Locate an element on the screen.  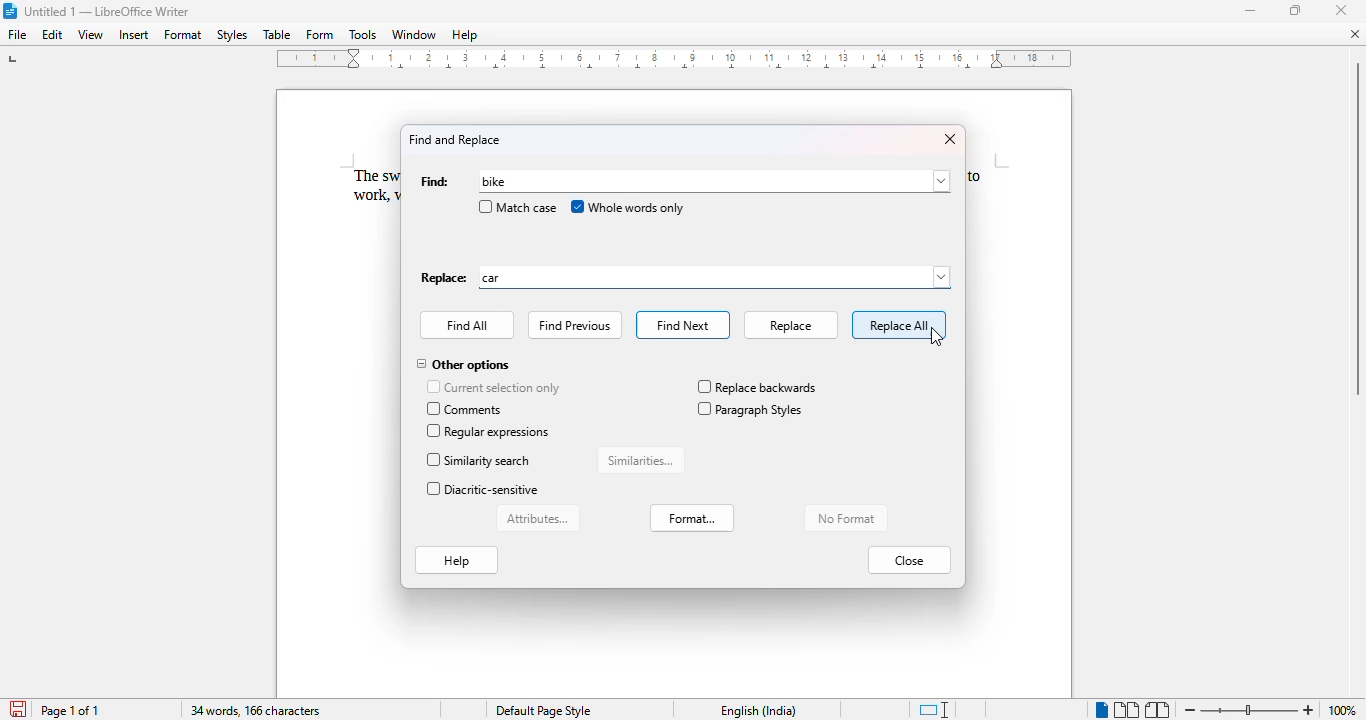
The sw work, is located at coordinates (363, 186).